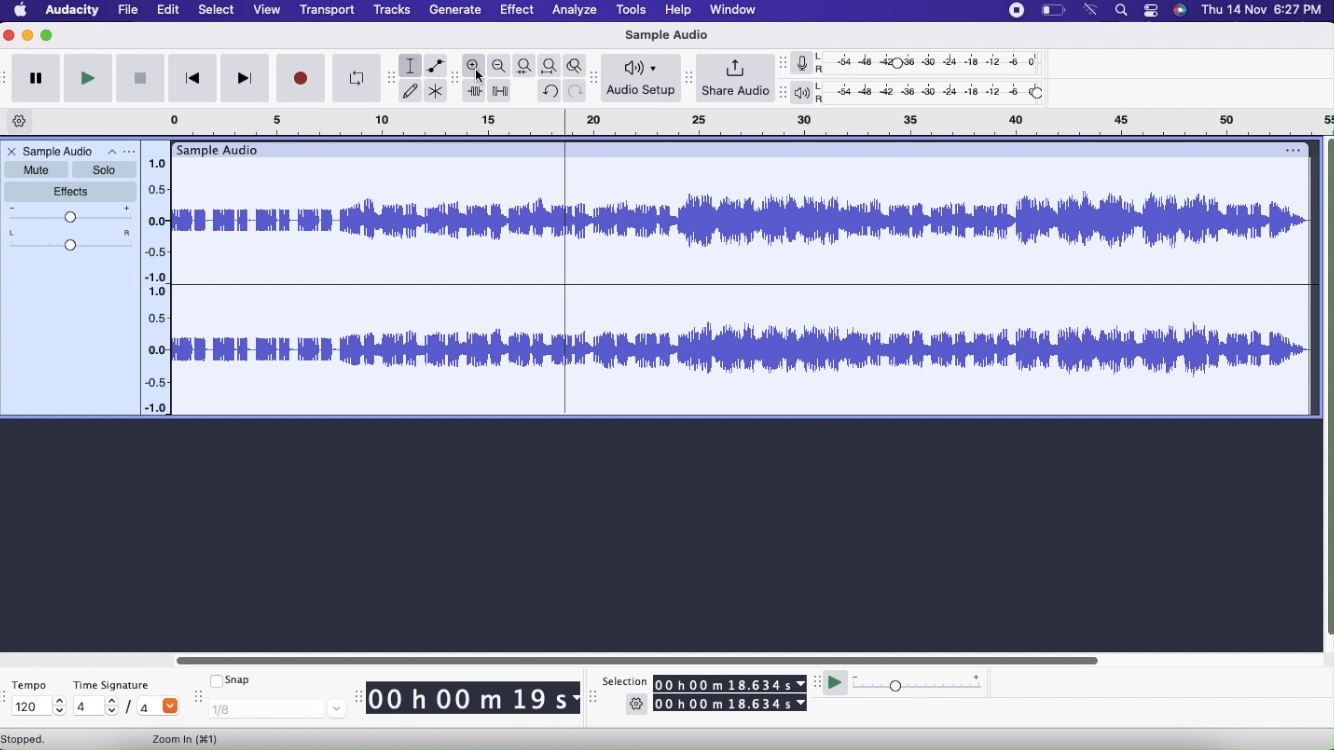 This screenshot has height=750, width=1334. Describe the element at coordinates (89, 79) in the screenshot. I see `Play` at that location.